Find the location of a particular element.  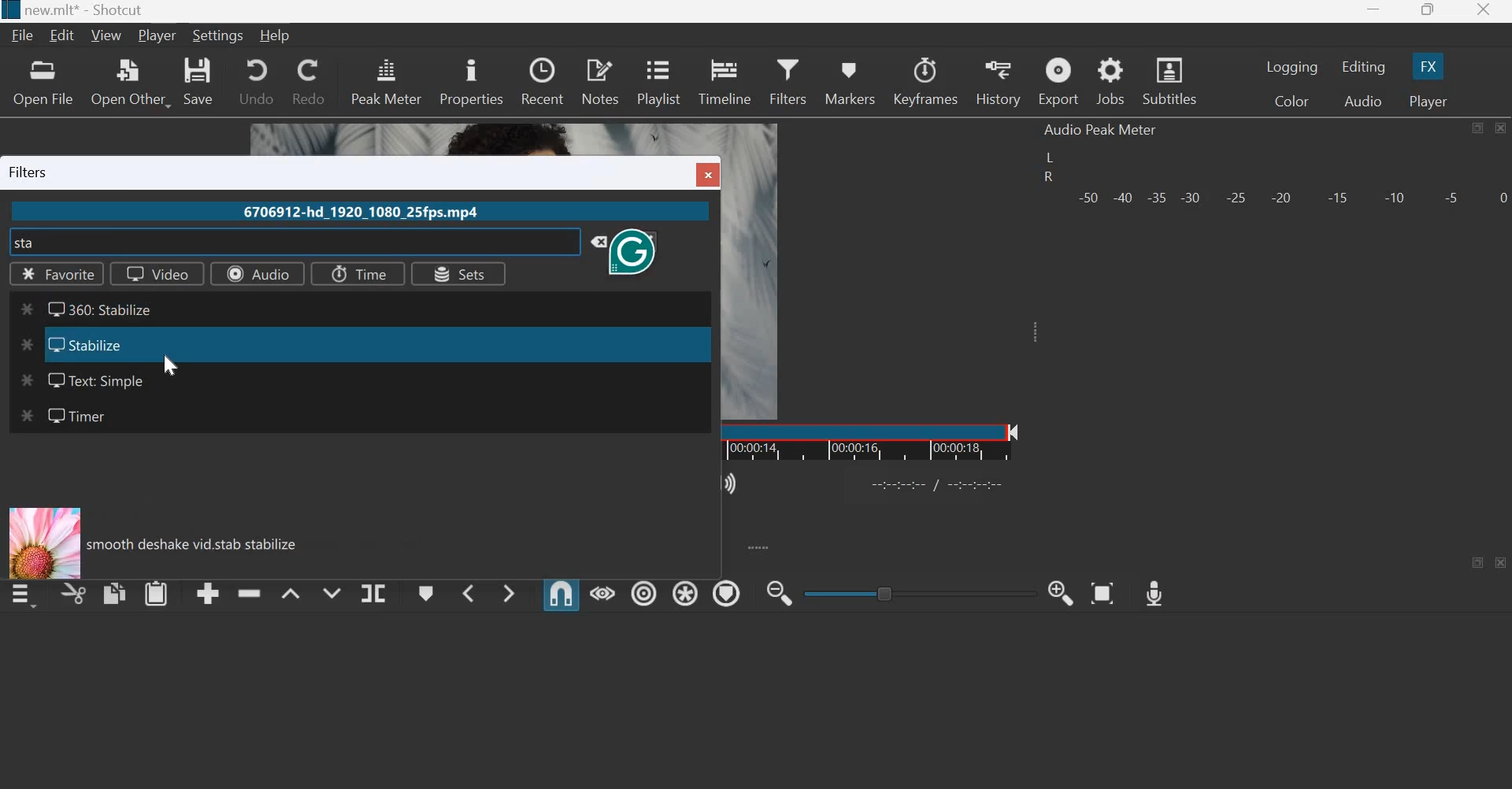

copy is located at coordinates (114, 593).